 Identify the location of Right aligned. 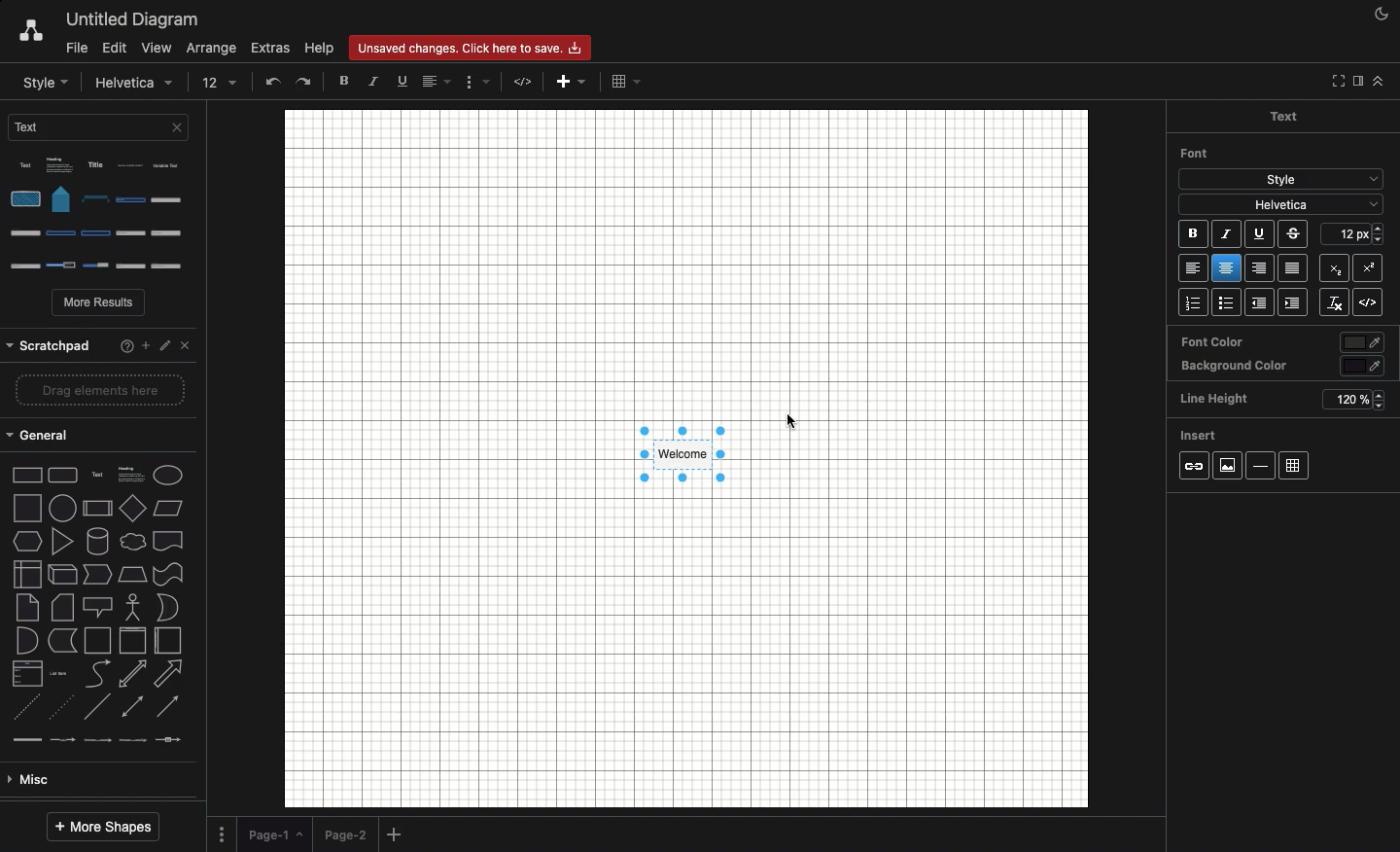
(1259, 267).